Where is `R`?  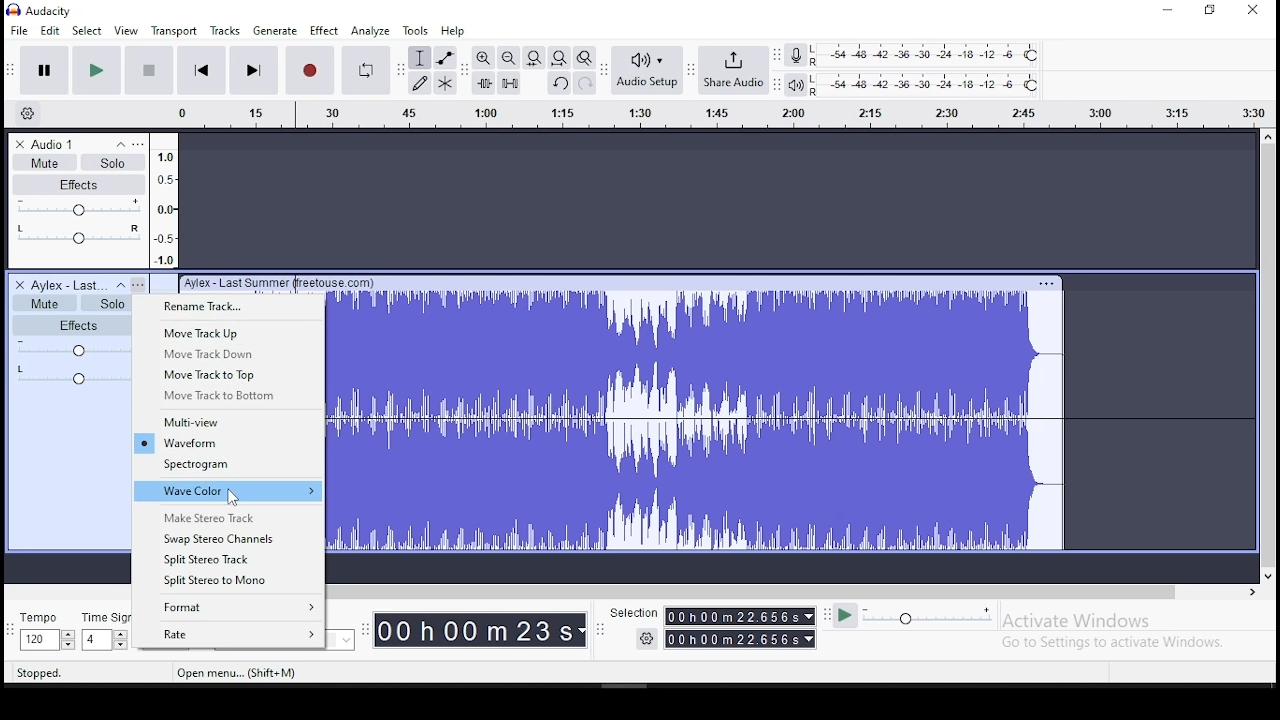 R is located at coordinates (818, 63).